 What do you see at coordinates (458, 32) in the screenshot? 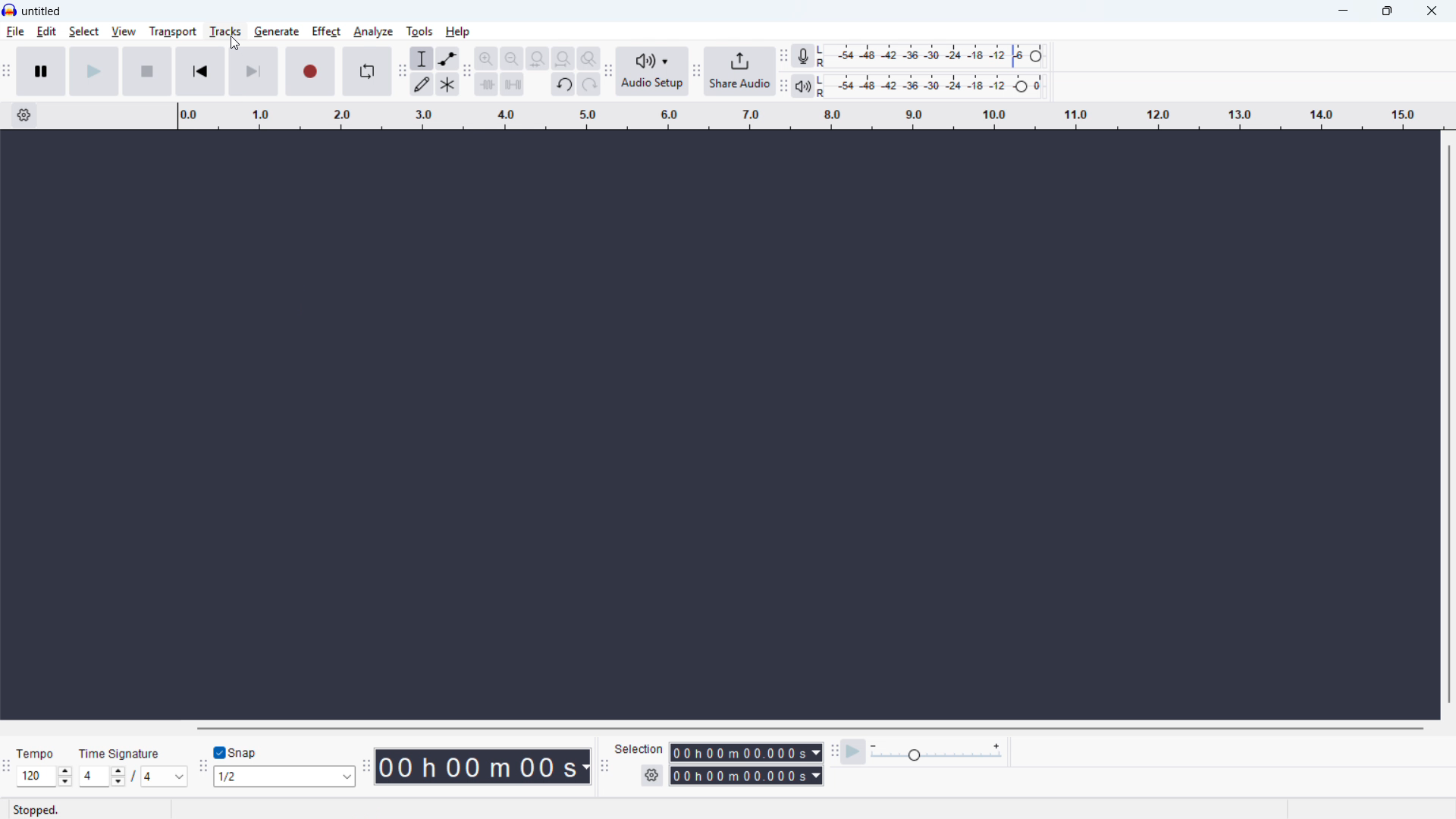
I see `help ` at bounding box center [458, 32].